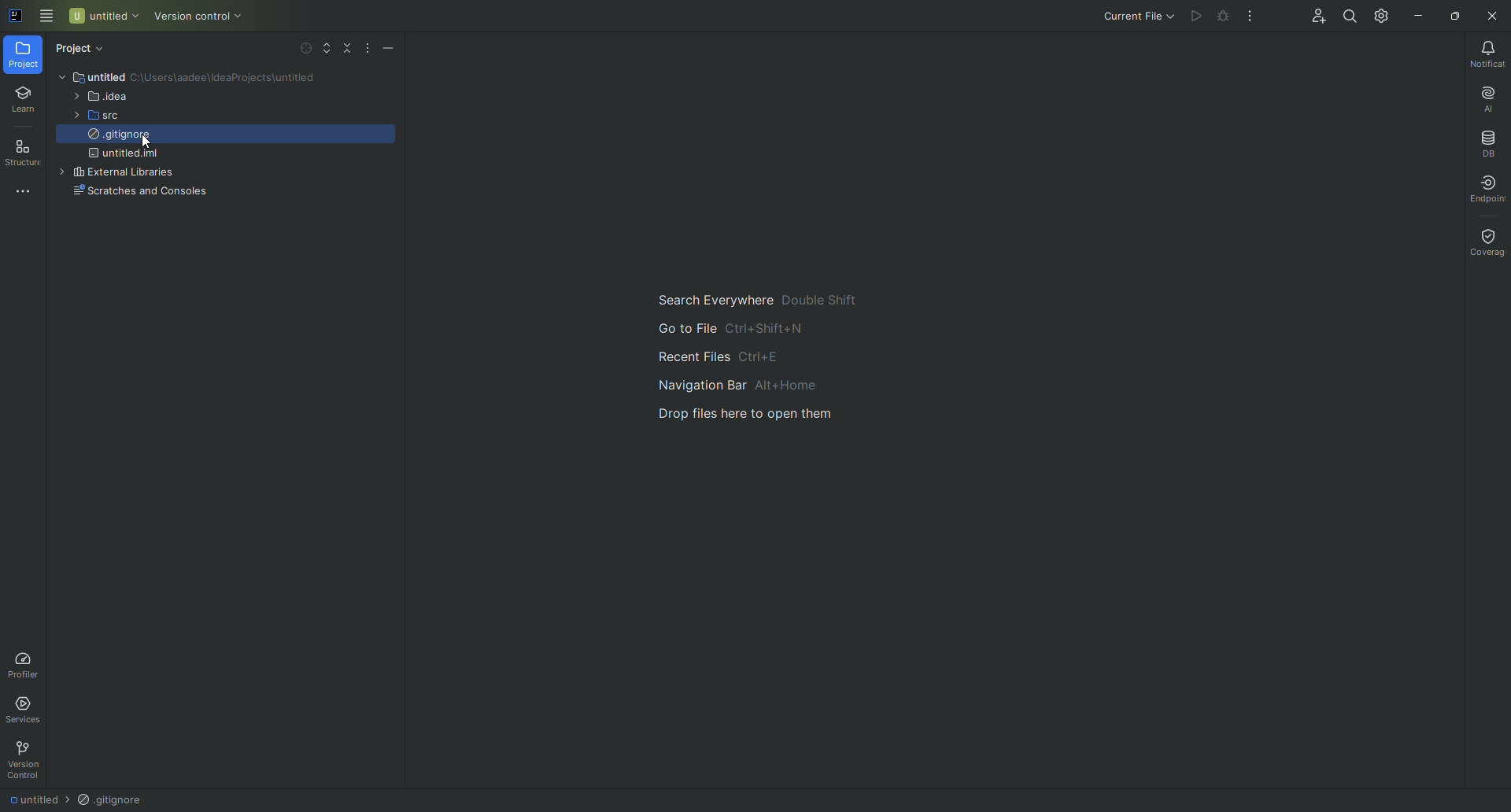  I want to click on Coverage, so click(1482, 241).